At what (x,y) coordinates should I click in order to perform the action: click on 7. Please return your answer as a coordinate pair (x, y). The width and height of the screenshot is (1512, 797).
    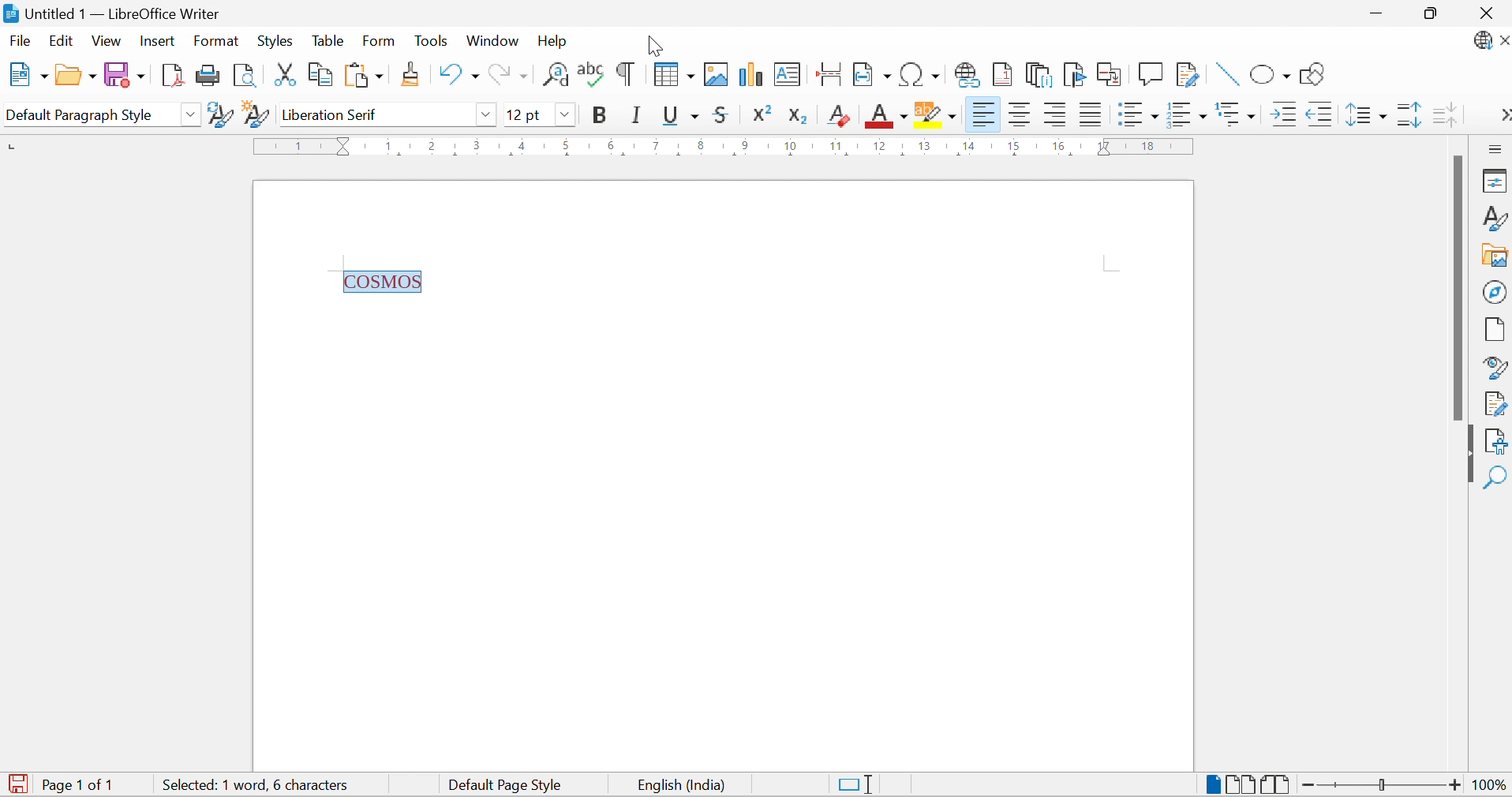
    Looking at the image, I should click on (654, 146).